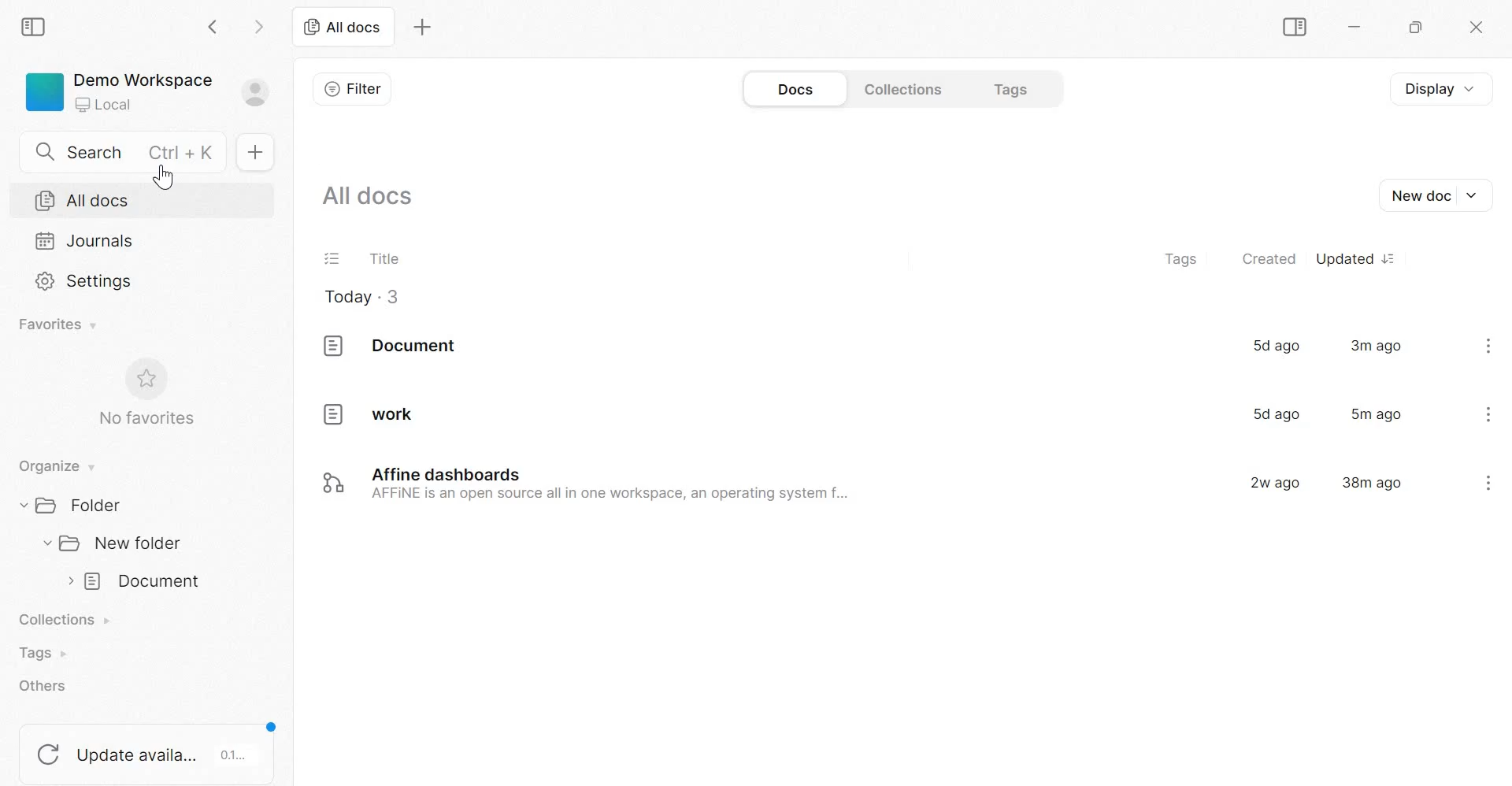 Image resolution: width=1512 pixels, height=786 pixels. Describe the element at coordinates (904, 88) in the screenshot. I see `collections` at that location.